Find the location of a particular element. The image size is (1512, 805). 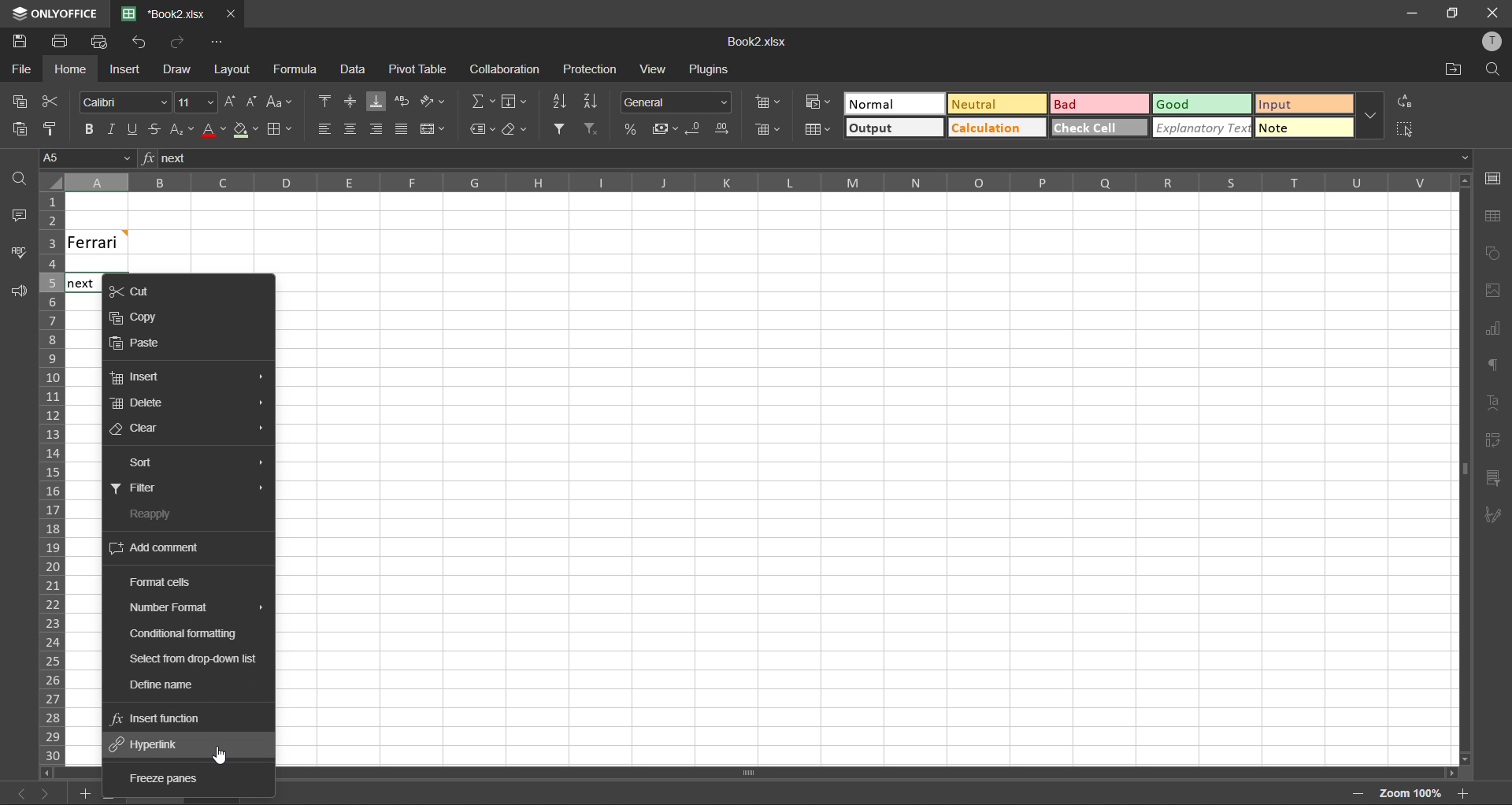

good is located at coordinates (1198, 104).